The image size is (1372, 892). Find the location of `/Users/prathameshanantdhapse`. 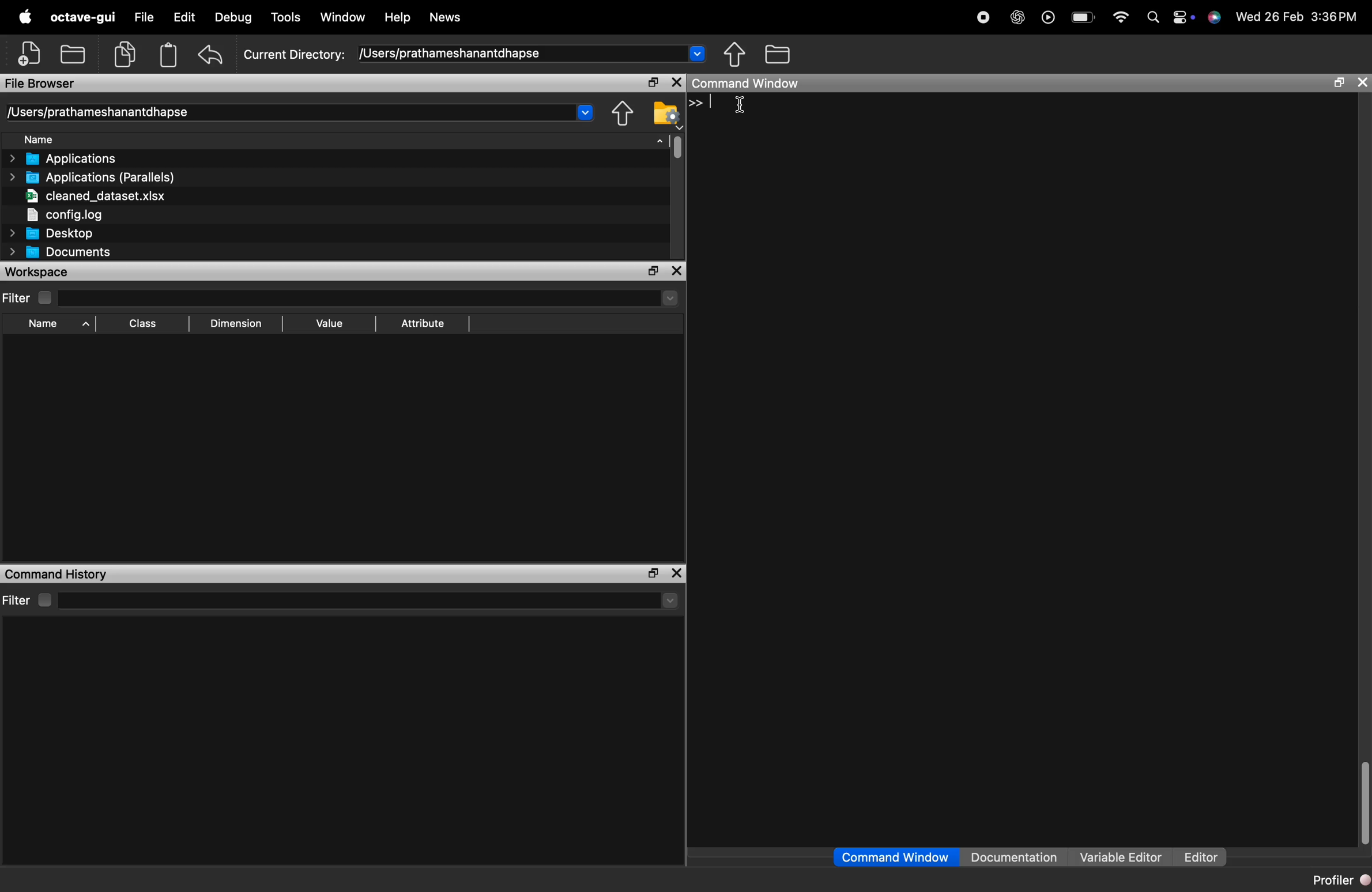

/Users/prathameshanantdhapse is located at coordinates (300, 112).